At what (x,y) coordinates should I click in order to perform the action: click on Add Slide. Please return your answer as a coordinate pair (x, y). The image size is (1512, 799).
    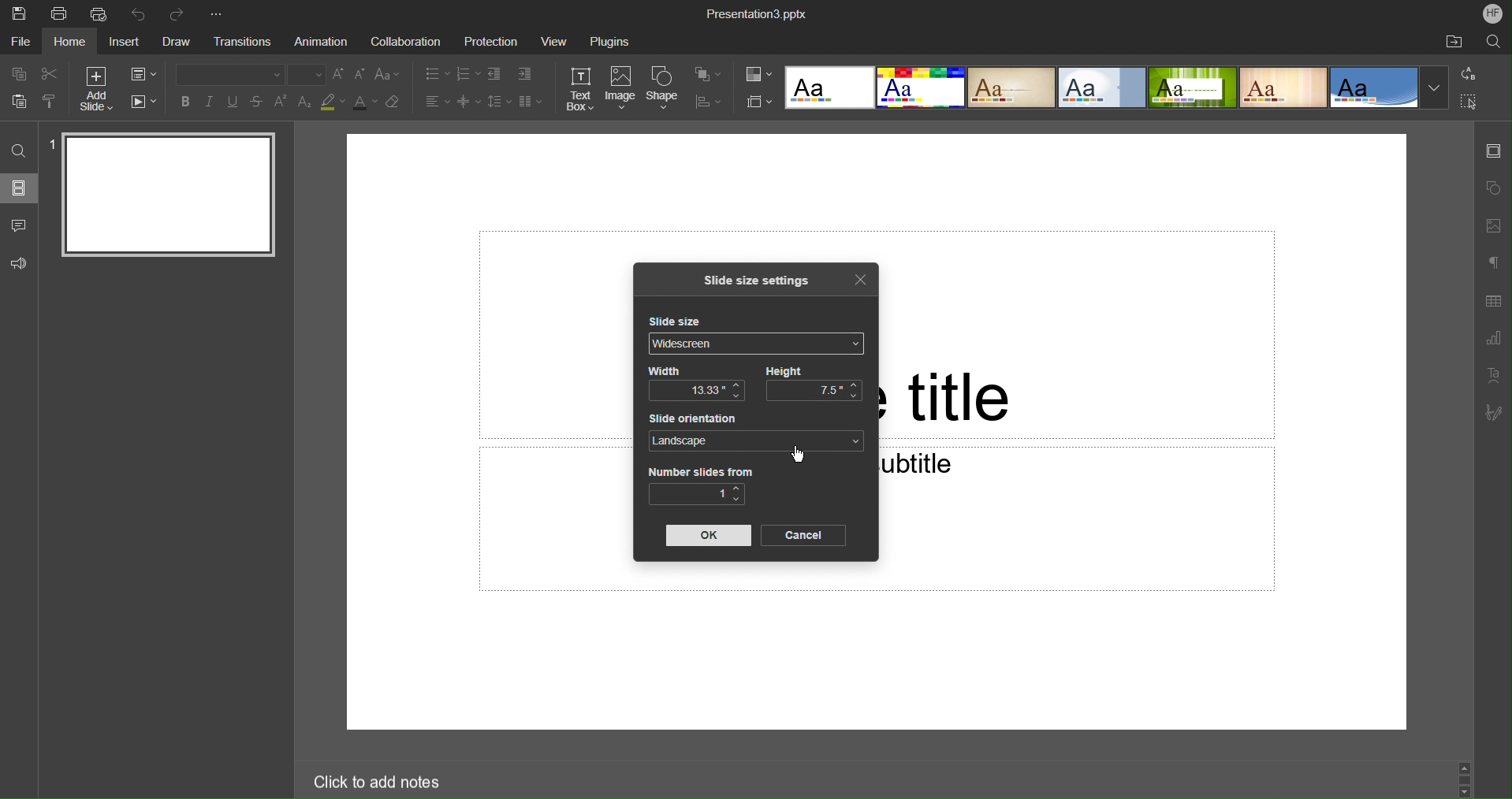
    Looking at the image, I should click on (94, 88).